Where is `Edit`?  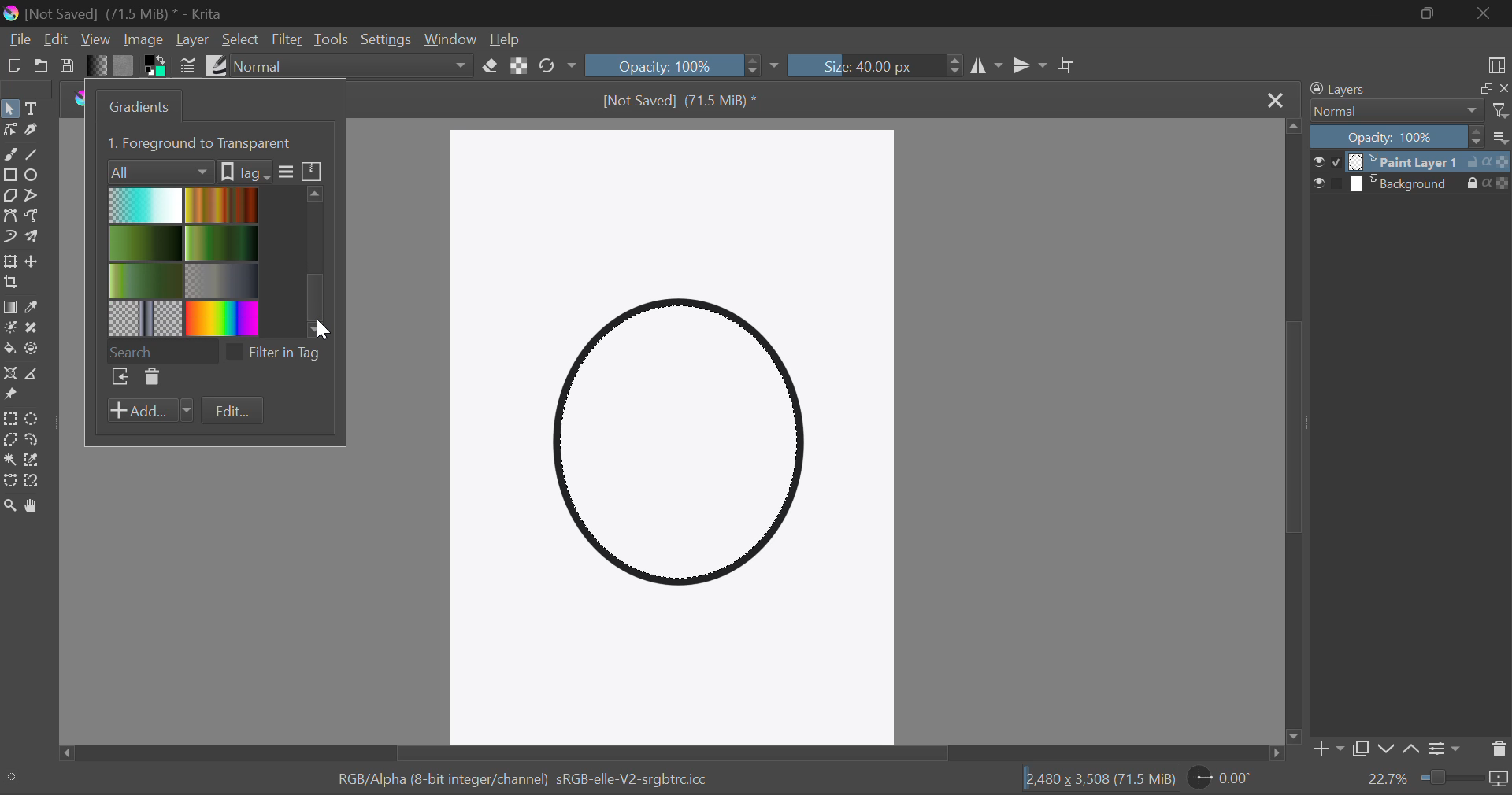
Edit is located at coordinates (232, 409).